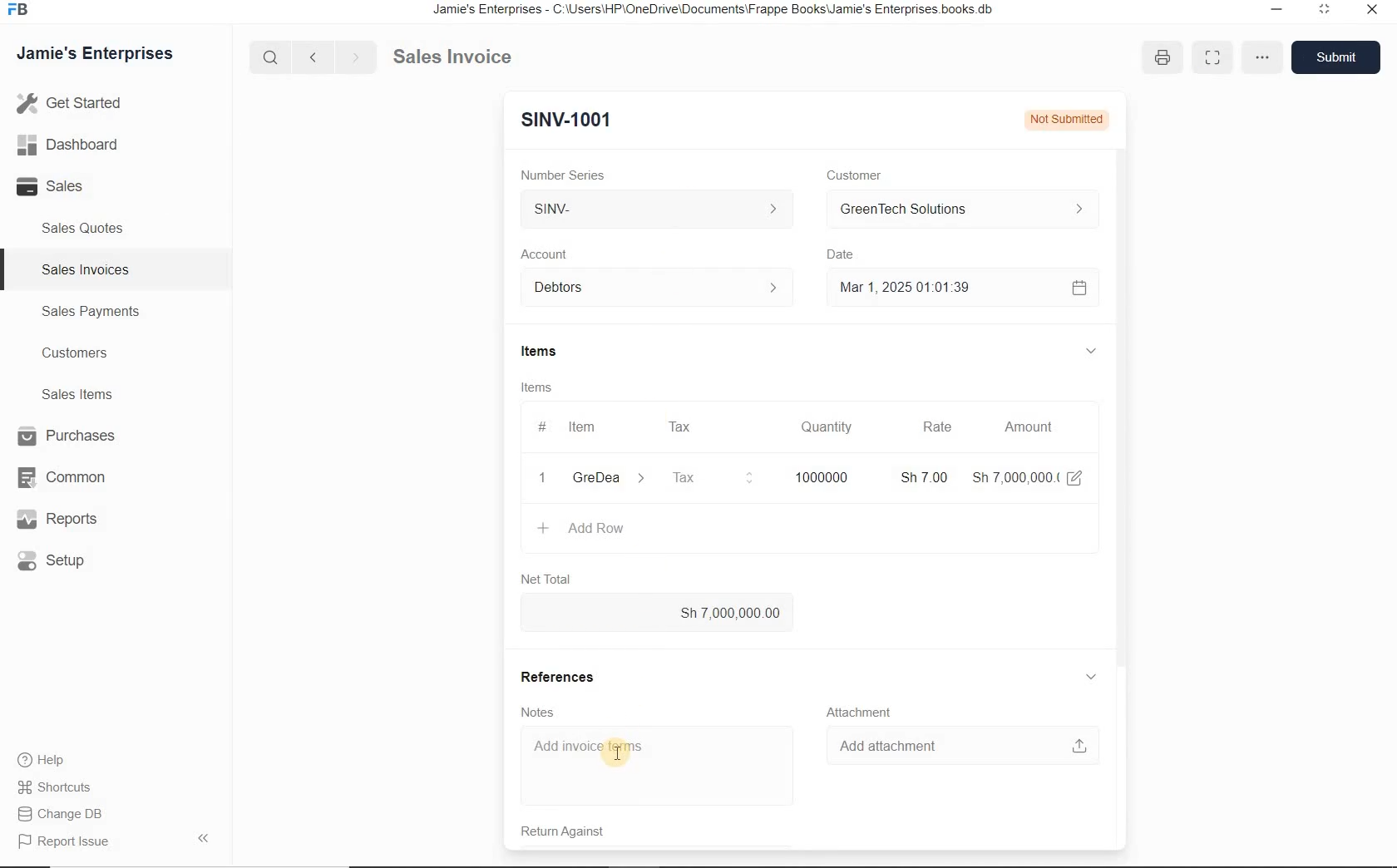  Describe the element at coordinates (1078, 287) in the screenshot. I see `calender` at that location.